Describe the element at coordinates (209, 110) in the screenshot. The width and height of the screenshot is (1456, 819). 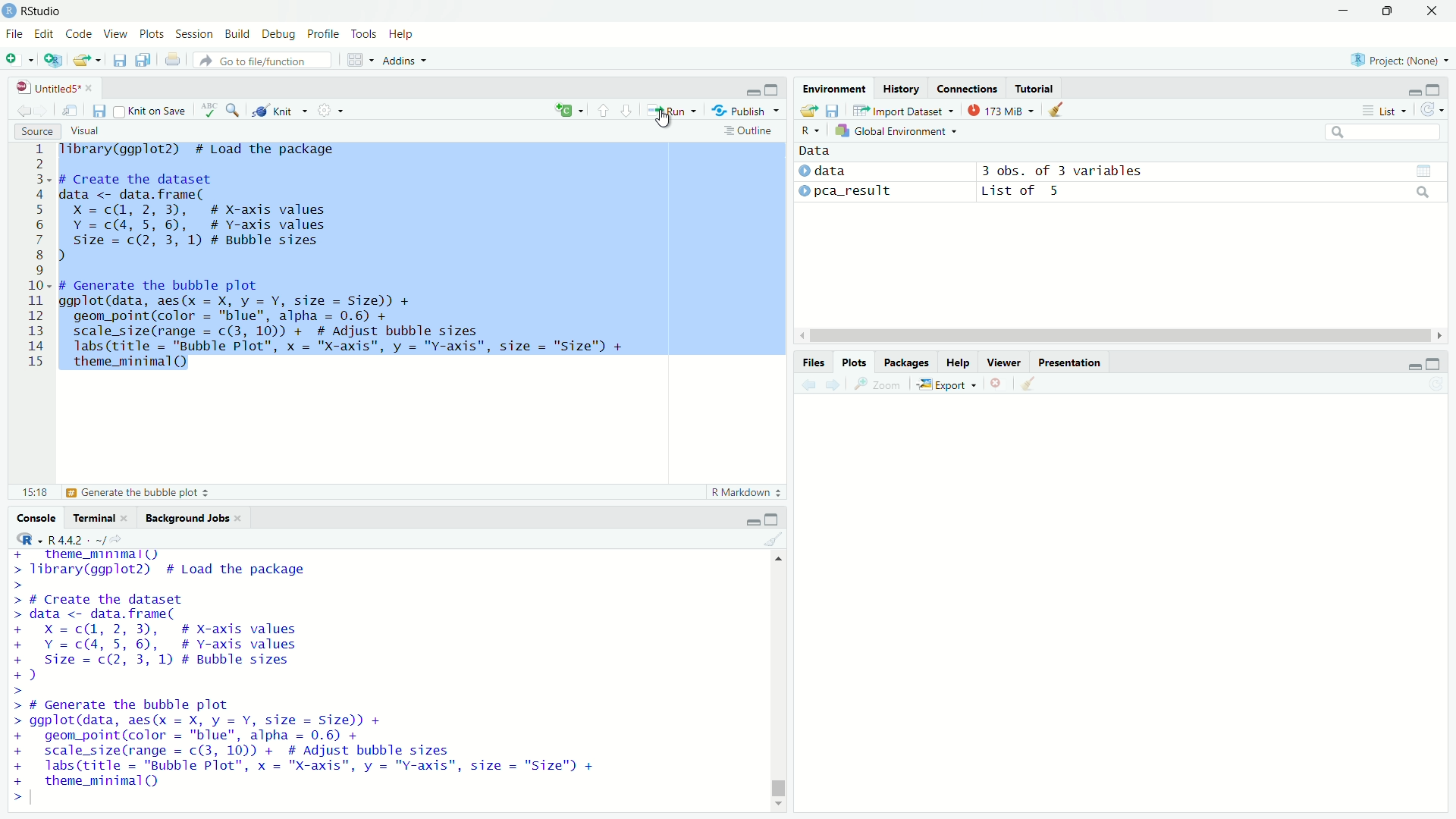
I see `spelling check` at that location.